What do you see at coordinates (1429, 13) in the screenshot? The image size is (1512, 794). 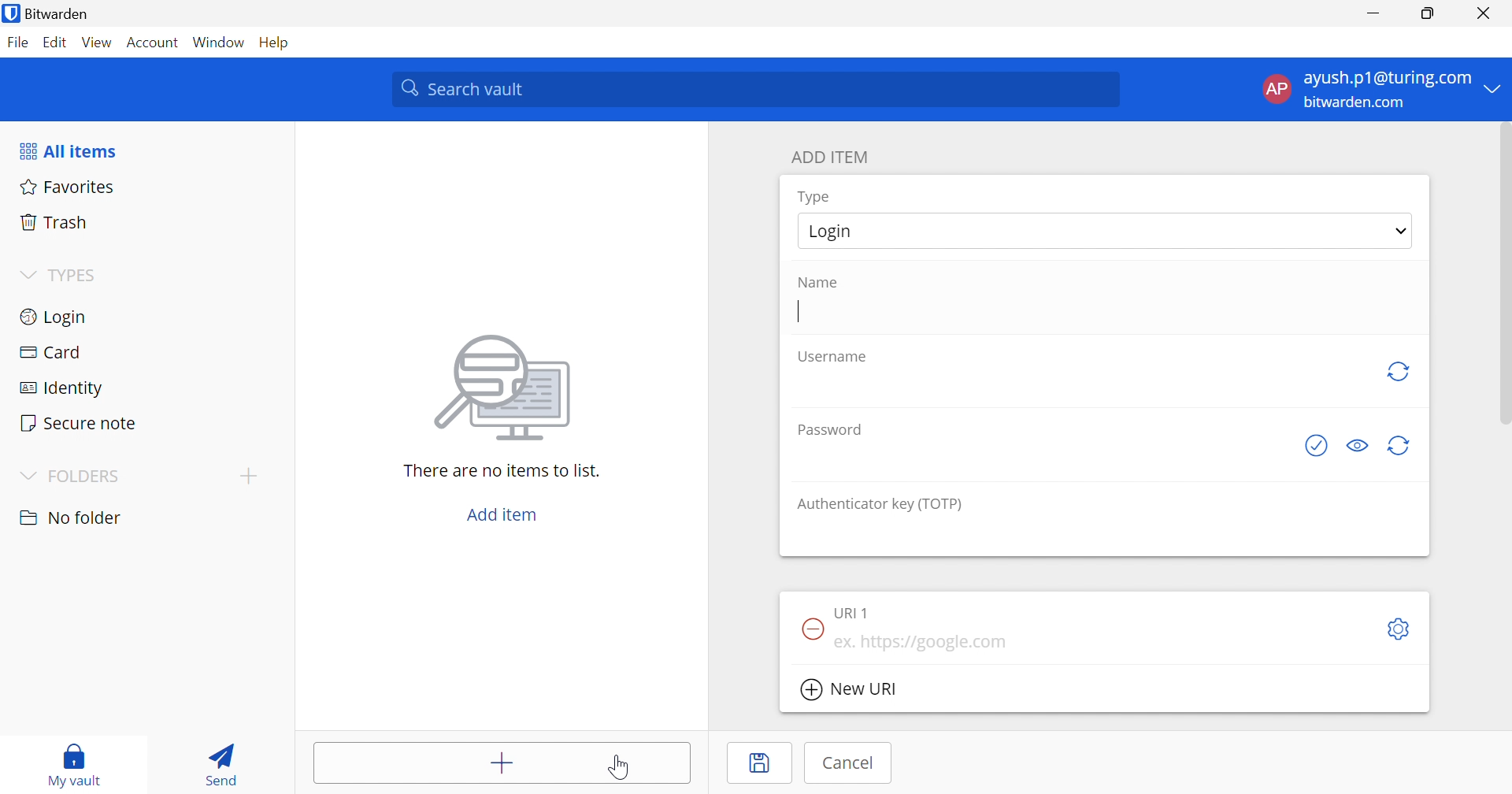 I see `Restore Down` at bounding box center [1429, 13].